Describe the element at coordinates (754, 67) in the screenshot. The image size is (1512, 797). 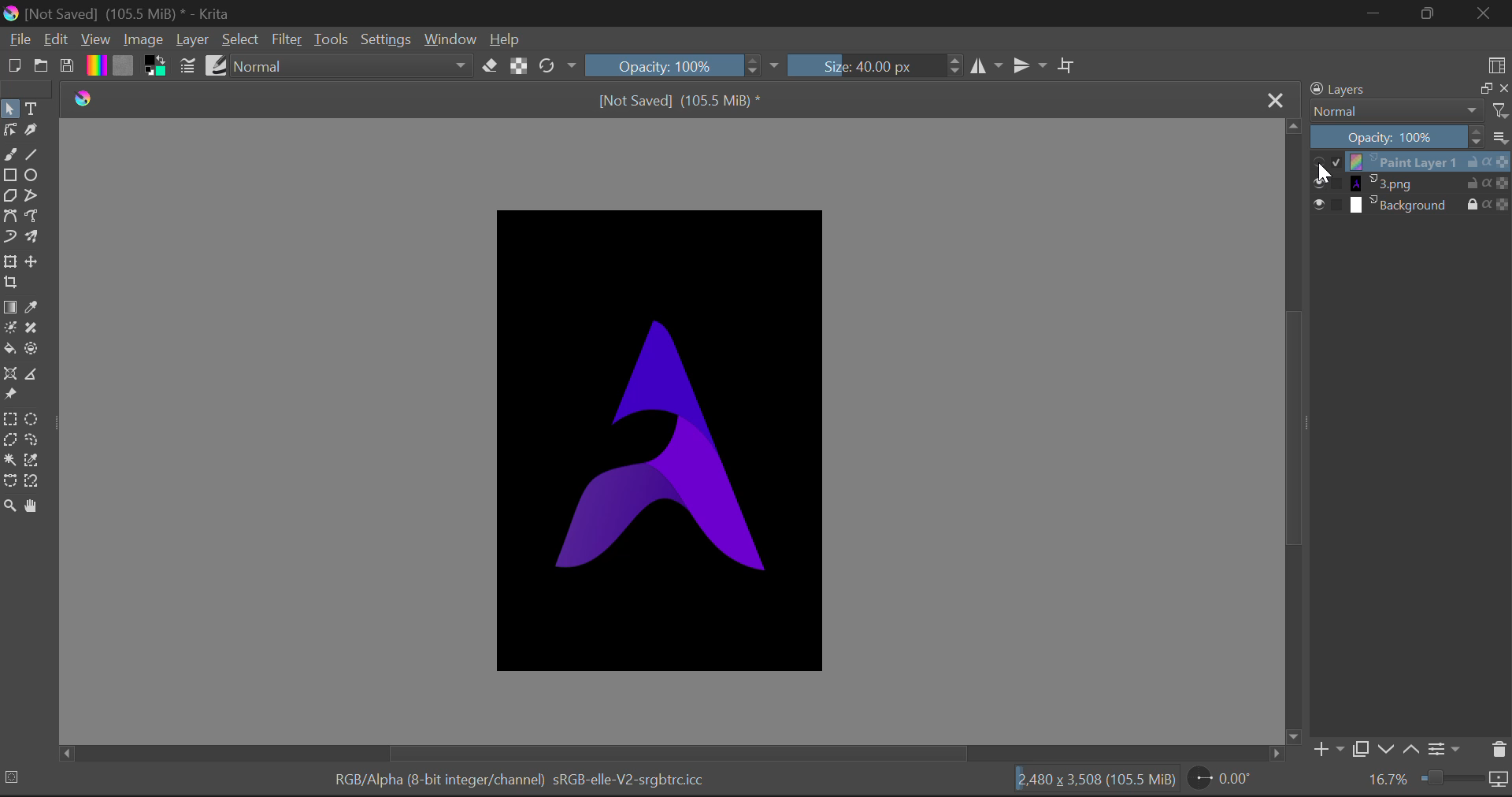
I see `Increase or decrease  opacity` at that location.